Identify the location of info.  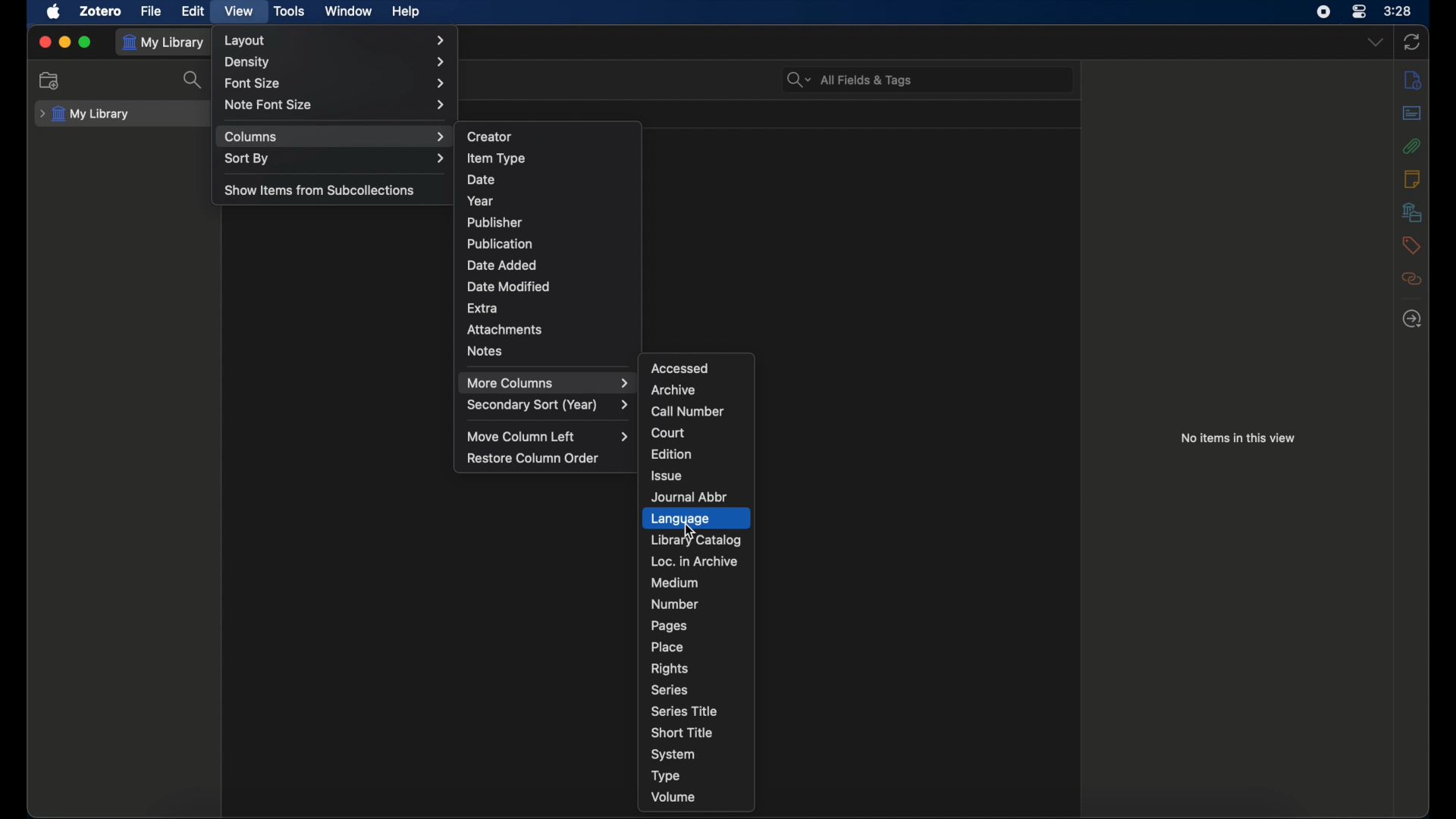
(1414, 80).